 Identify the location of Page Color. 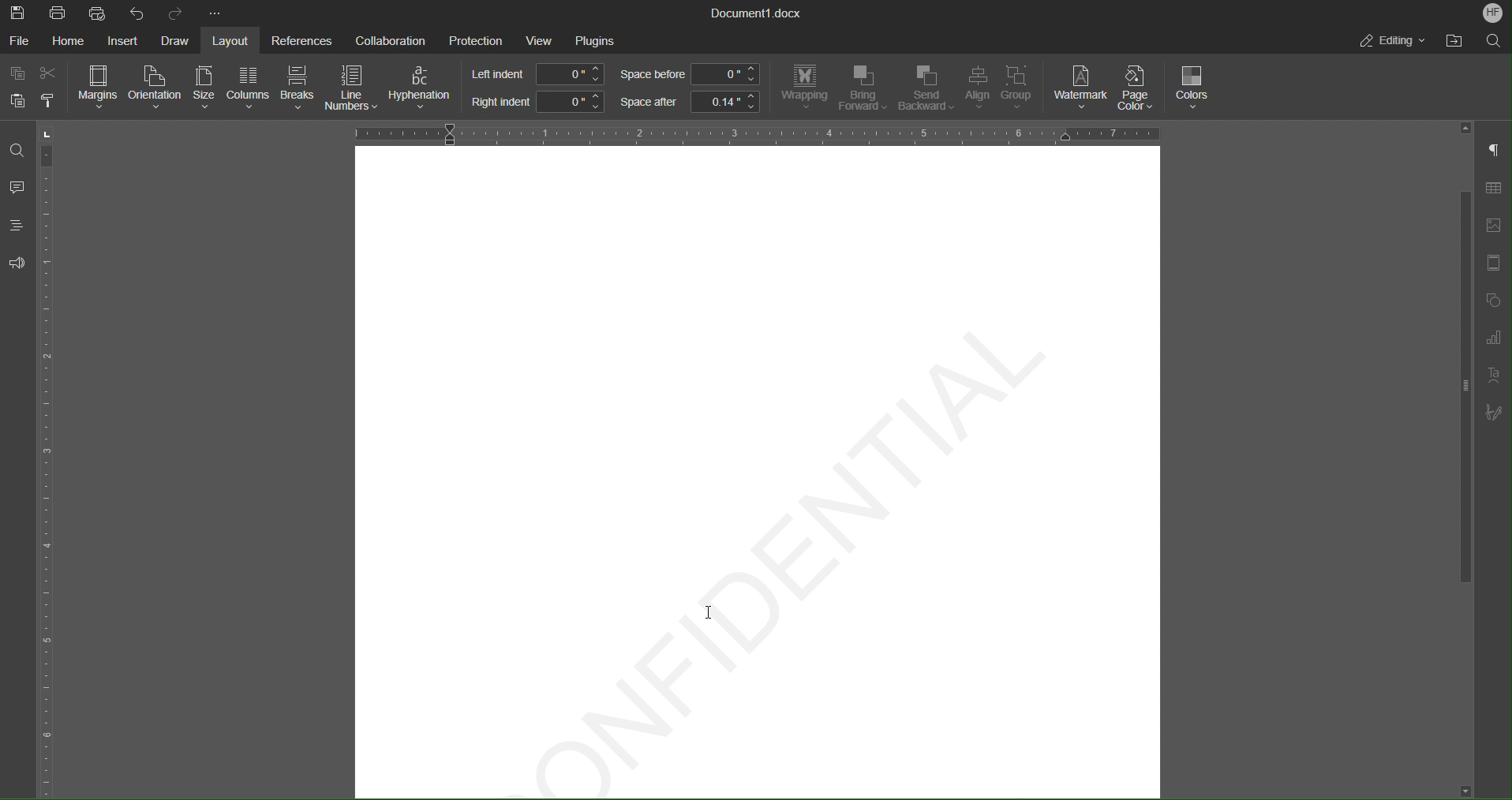
(1141, 88).